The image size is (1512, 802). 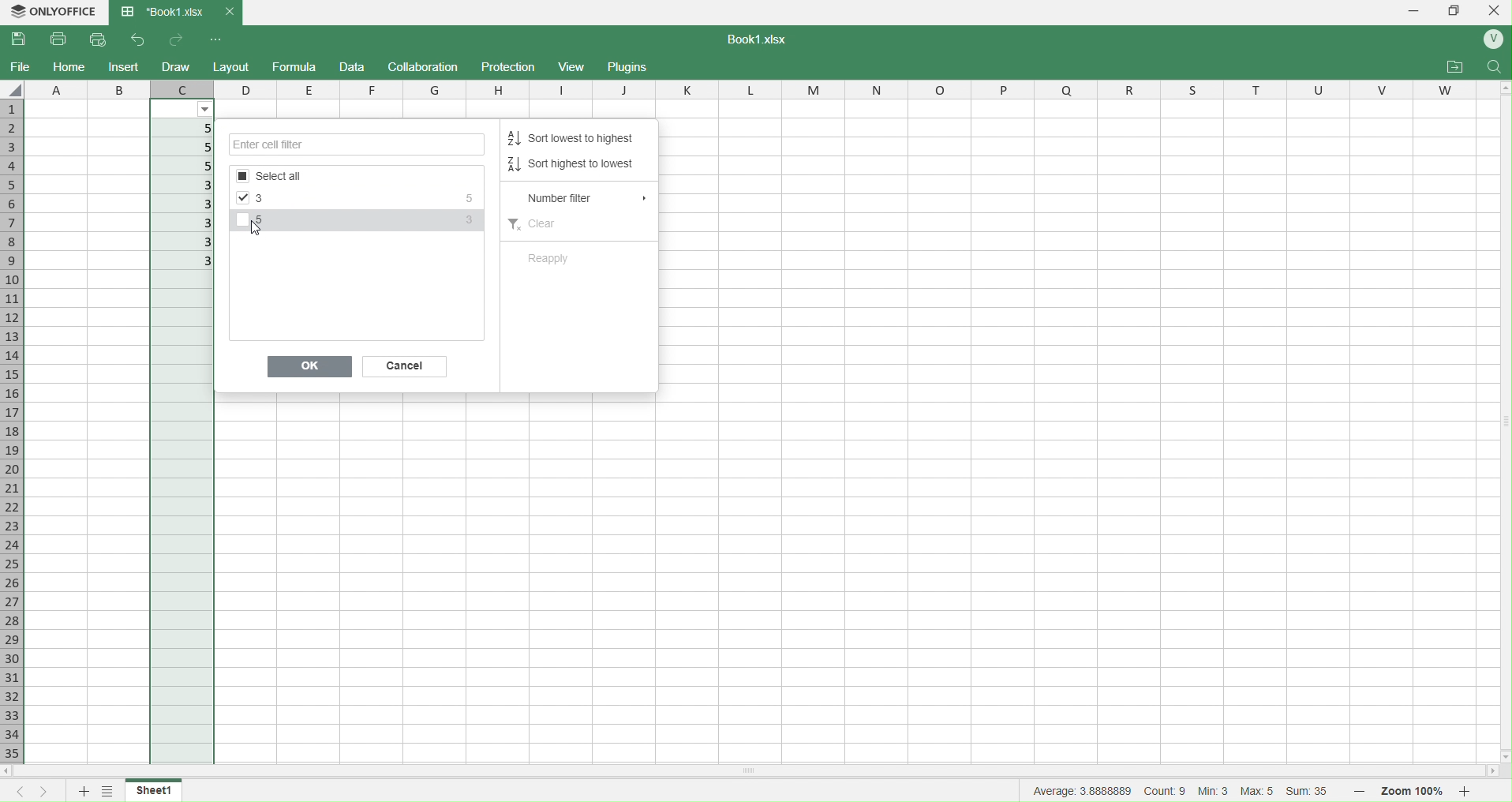 What do you see at coordinates (406, 369) in the screenshot?
I see `Cancel` at bounding box center [406, 369].